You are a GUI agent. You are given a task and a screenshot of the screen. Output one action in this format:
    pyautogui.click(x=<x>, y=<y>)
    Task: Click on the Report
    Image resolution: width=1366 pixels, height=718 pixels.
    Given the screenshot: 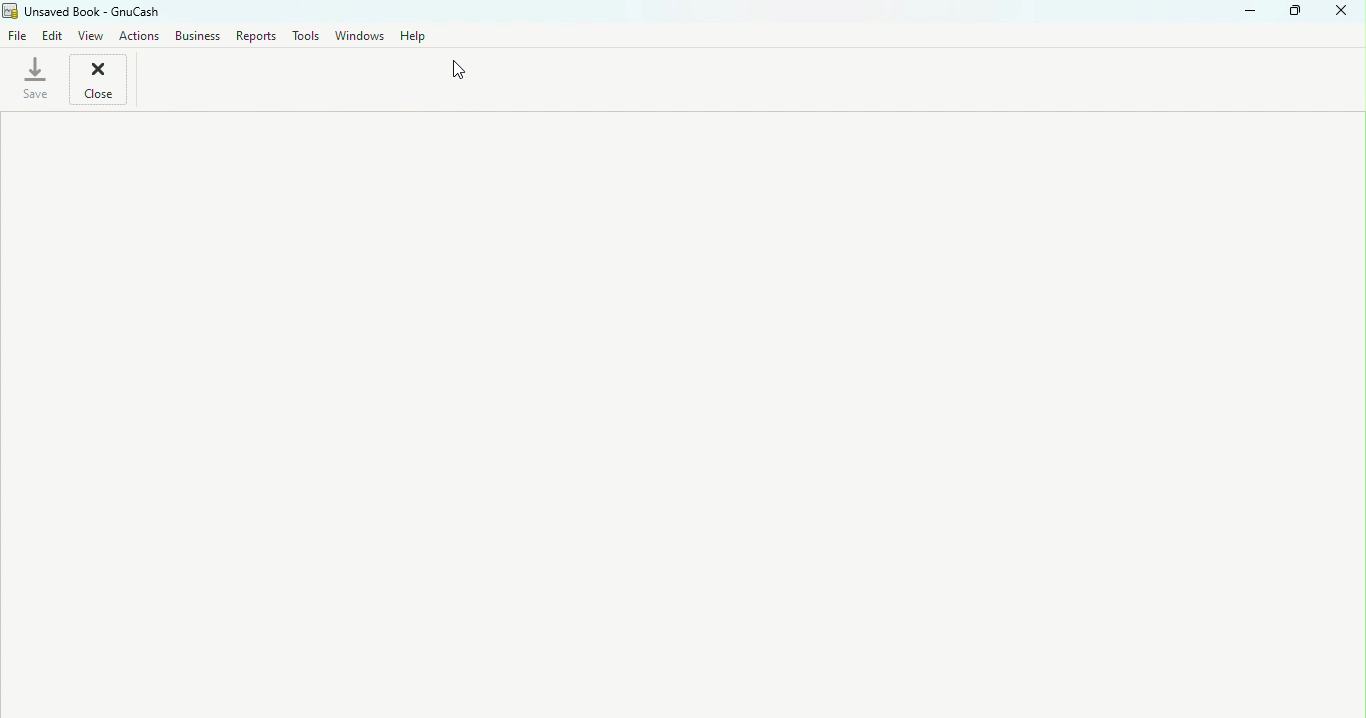 What is the action you would take?
    pyautogui.click(x=257, y=37)
    